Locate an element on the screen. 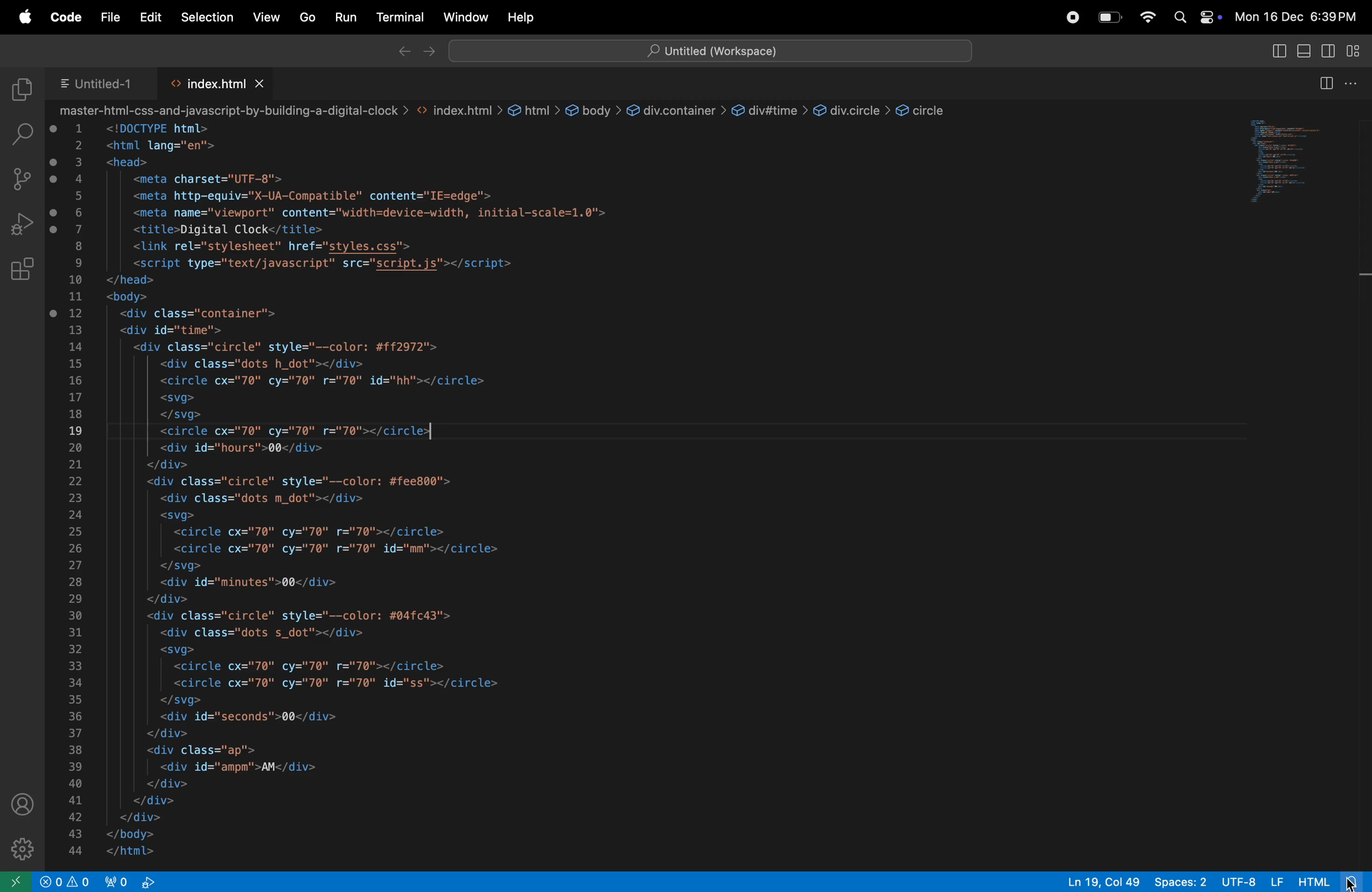 This screenshot has height=892, width=1372. primary sidebar is located at coordinates (1305, 50).